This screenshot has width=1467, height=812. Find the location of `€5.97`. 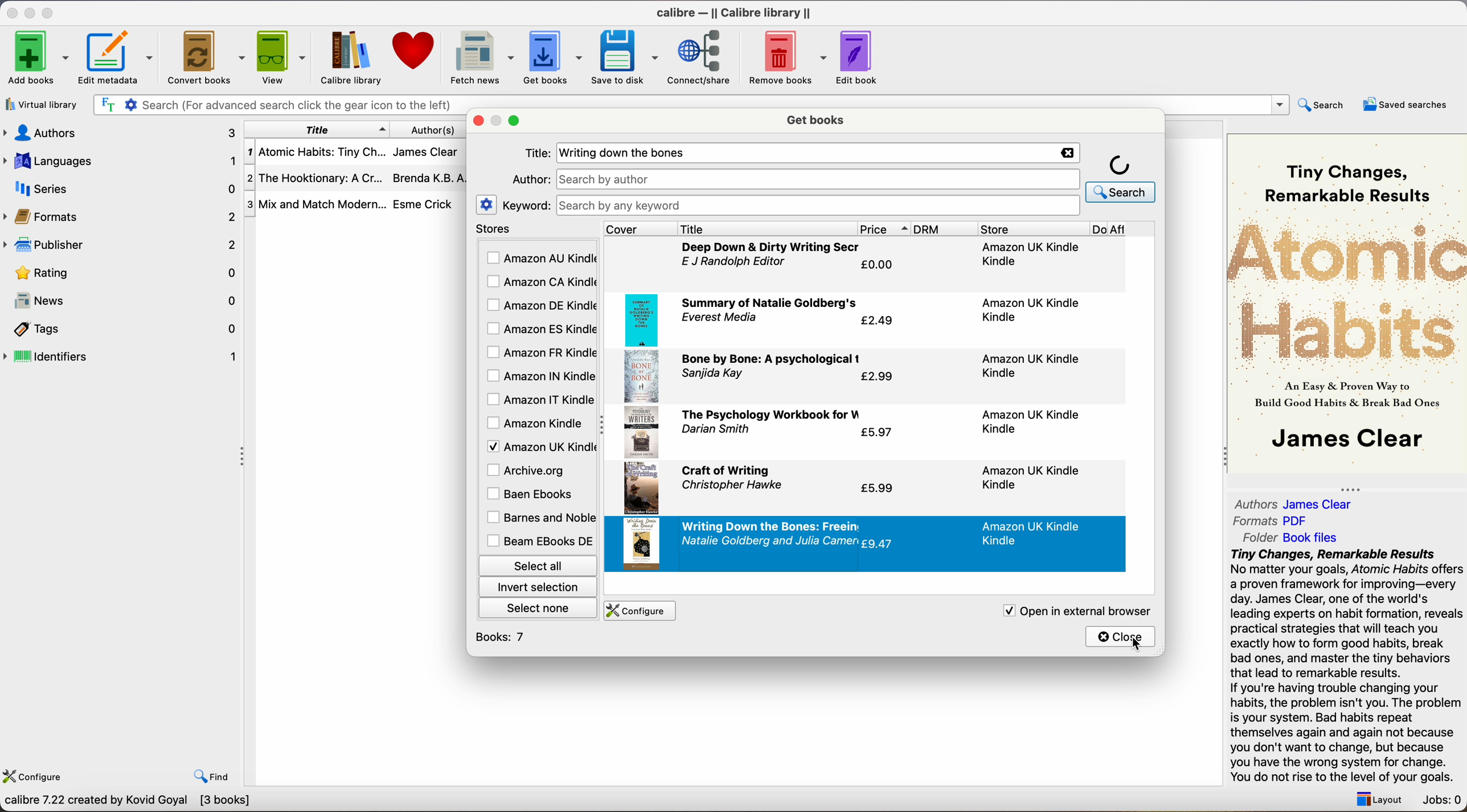

€5.97 is located at coordinates (877, 433).